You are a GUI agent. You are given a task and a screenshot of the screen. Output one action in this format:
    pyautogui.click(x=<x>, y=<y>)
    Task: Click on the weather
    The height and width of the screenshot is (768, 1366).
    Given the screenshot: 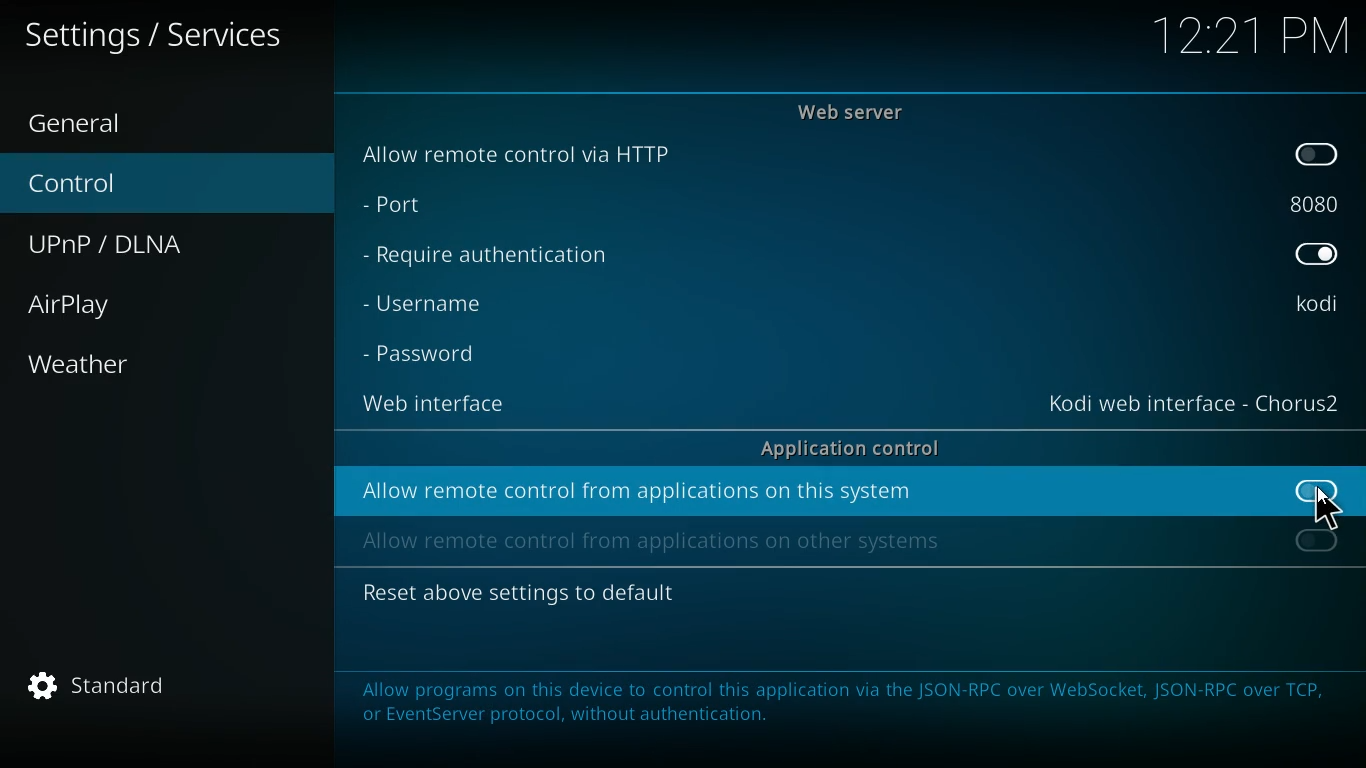 What is the action you would take?
    pyautogui.click(x=170, y=365)
    